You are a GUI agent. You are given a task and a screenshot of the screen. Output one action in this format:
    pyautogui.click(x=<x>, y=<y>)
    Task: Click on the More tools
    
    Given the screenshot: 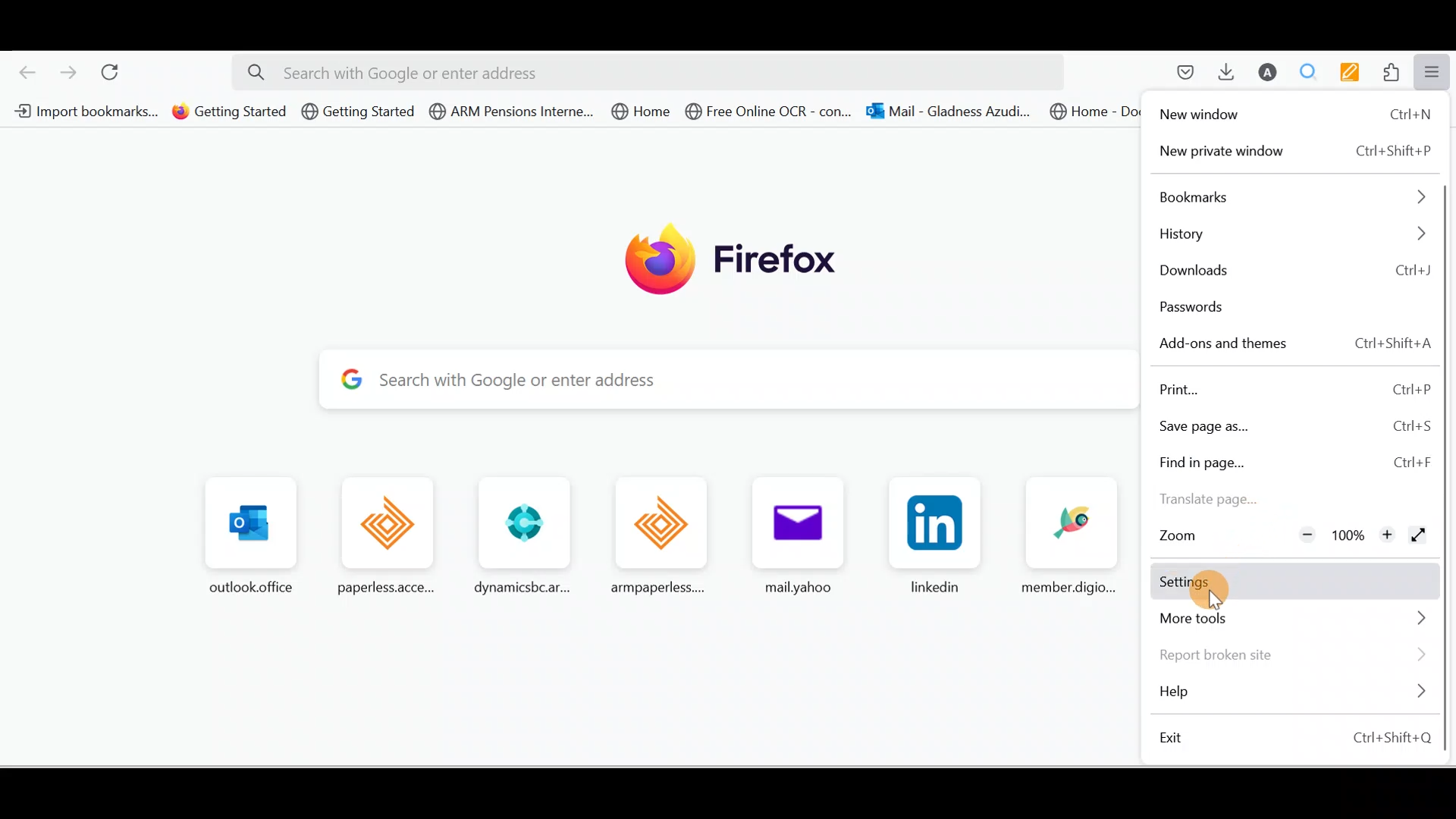 What is the action you would take?
    pyautogui.click(x=1299, y=621)
    